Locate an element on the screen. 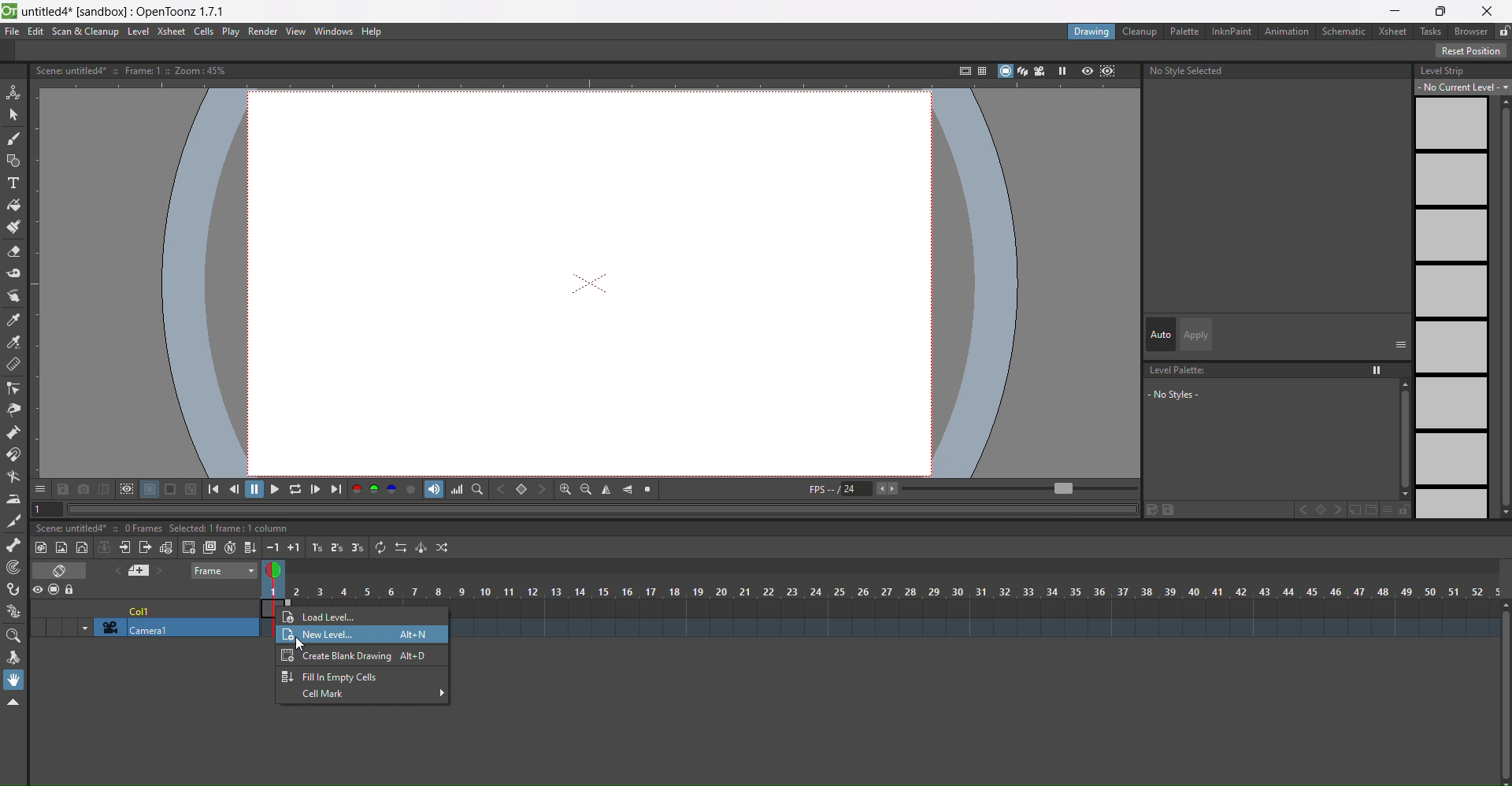  scroll bar is located at coordinates (1400, 439).